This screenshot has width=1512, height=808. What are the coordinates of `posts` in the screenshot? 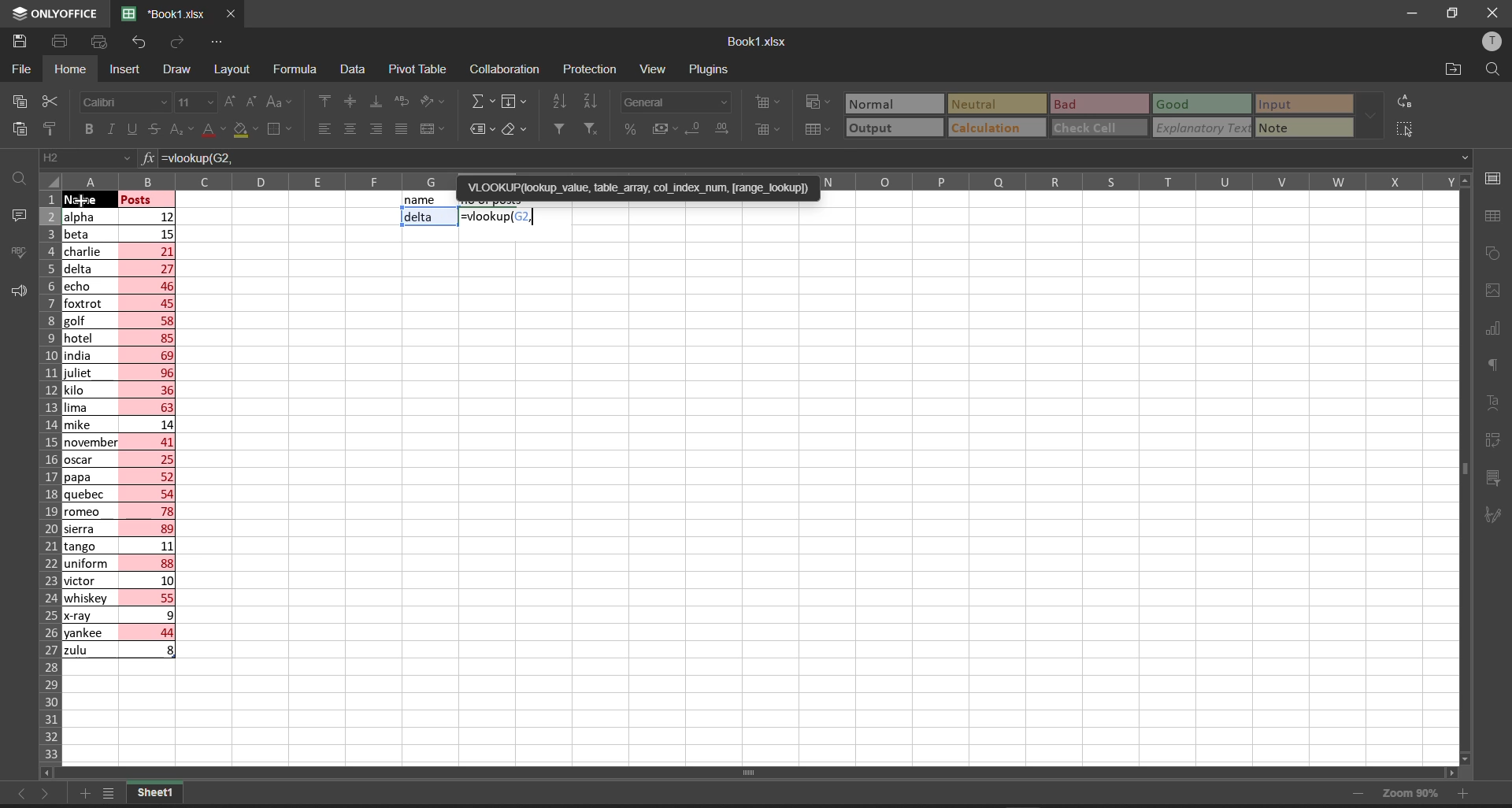 It's located at (149, 429).